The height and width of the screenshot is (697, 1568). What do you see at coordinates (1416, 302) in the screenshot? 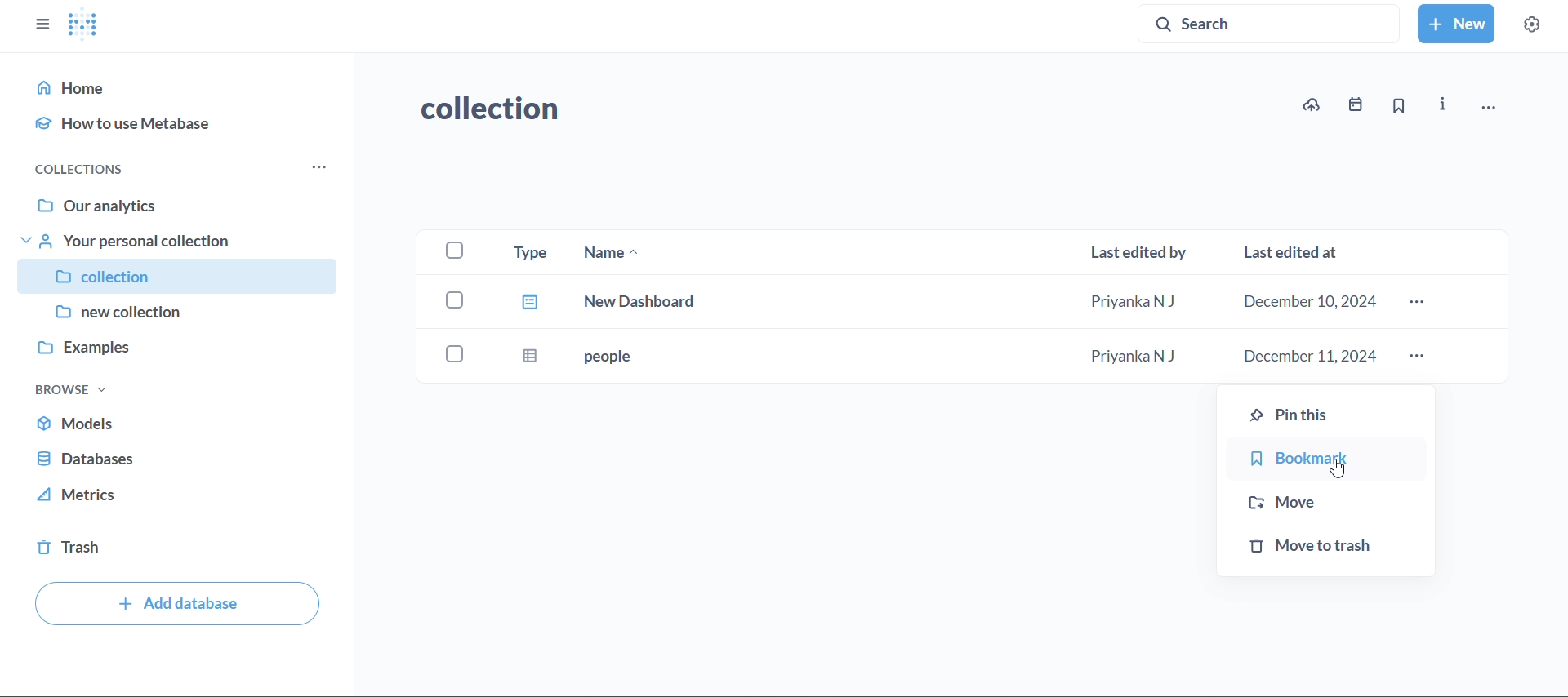
I see `more` at bounding box center [1416, 302].